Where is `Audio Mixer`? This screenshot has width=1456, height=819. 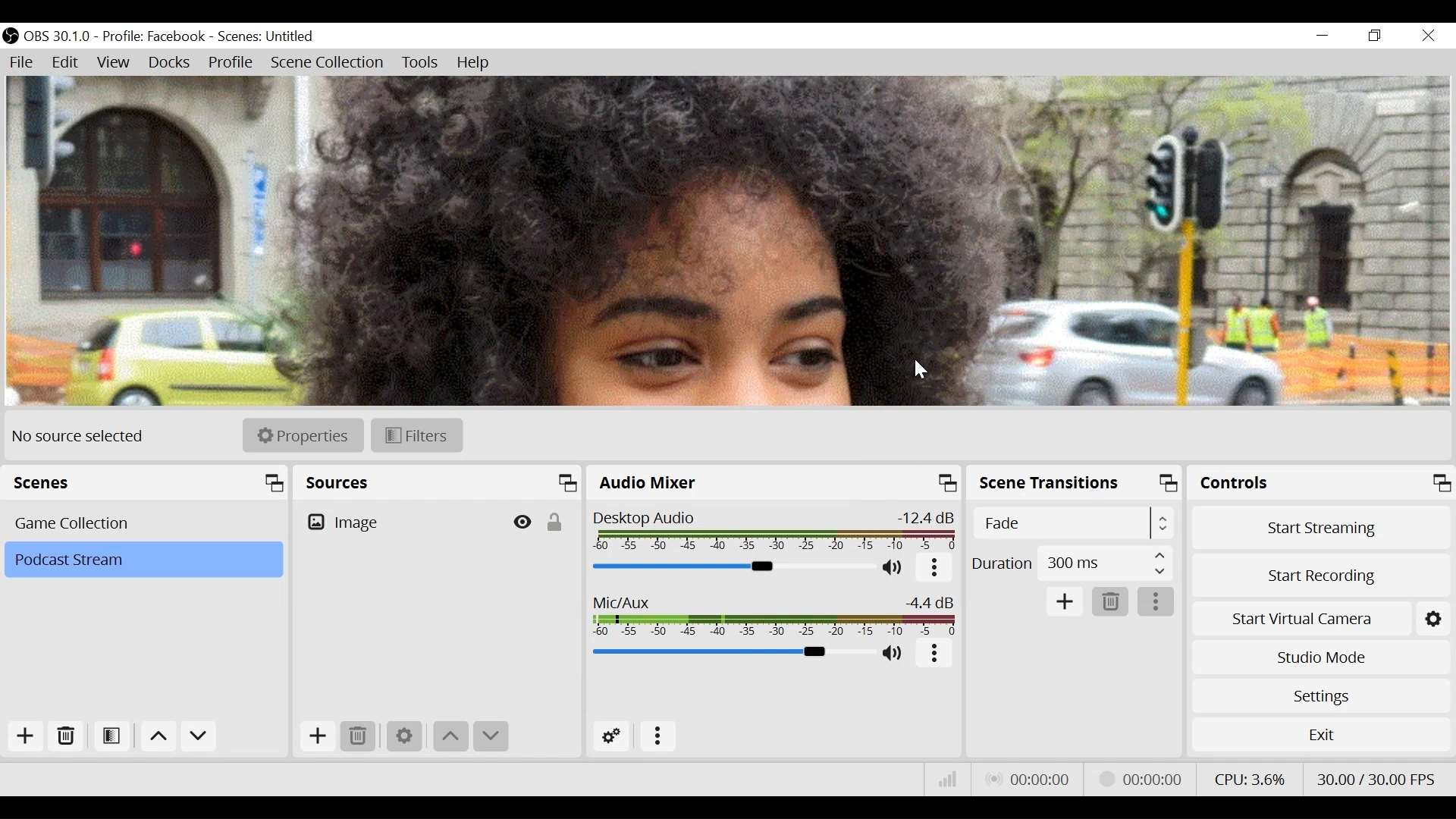 Audio Mixer is located at coordinates (775, 482).